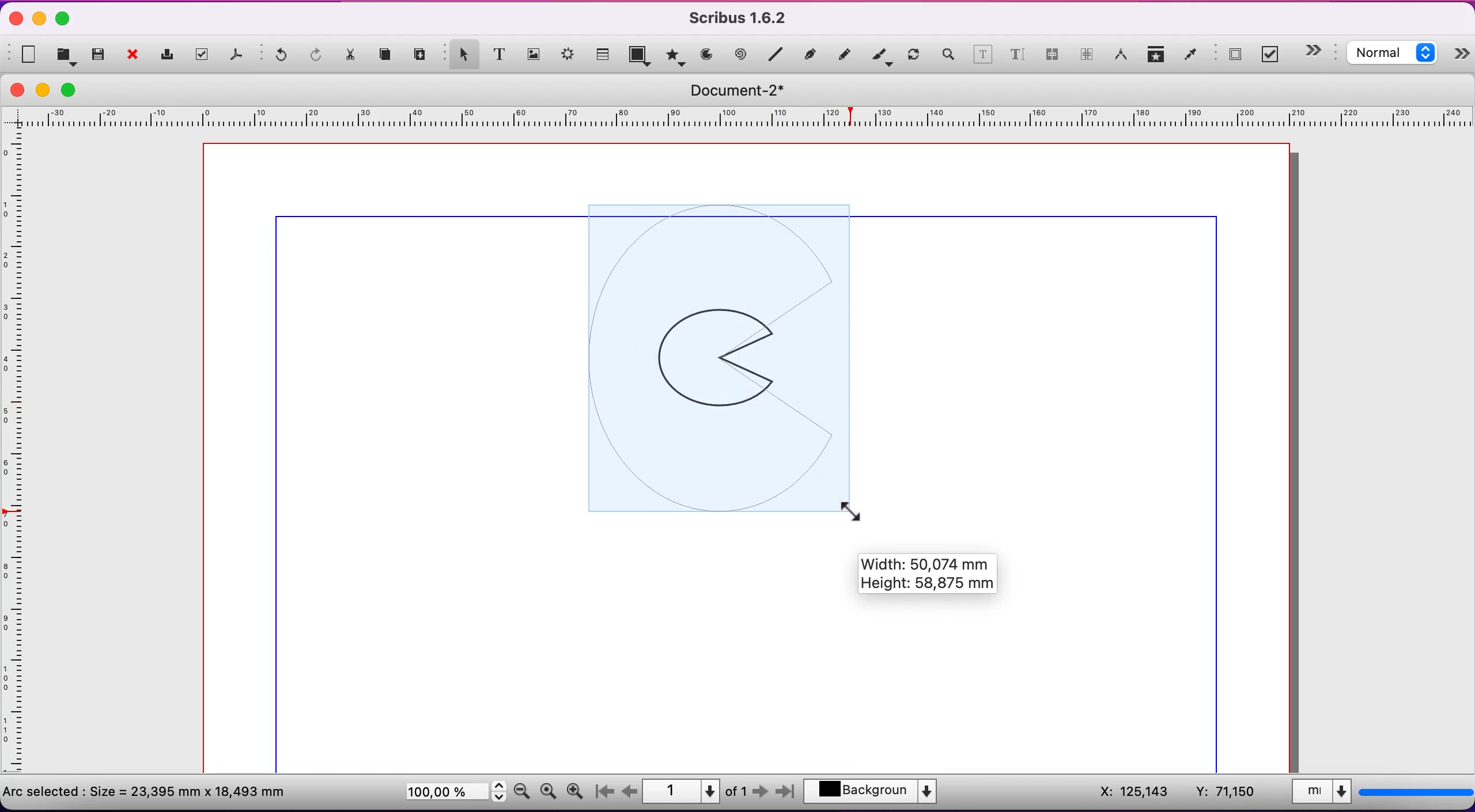 The height and width of the screenshot is (812, 1475). I want to click on close, so click(17, 90).